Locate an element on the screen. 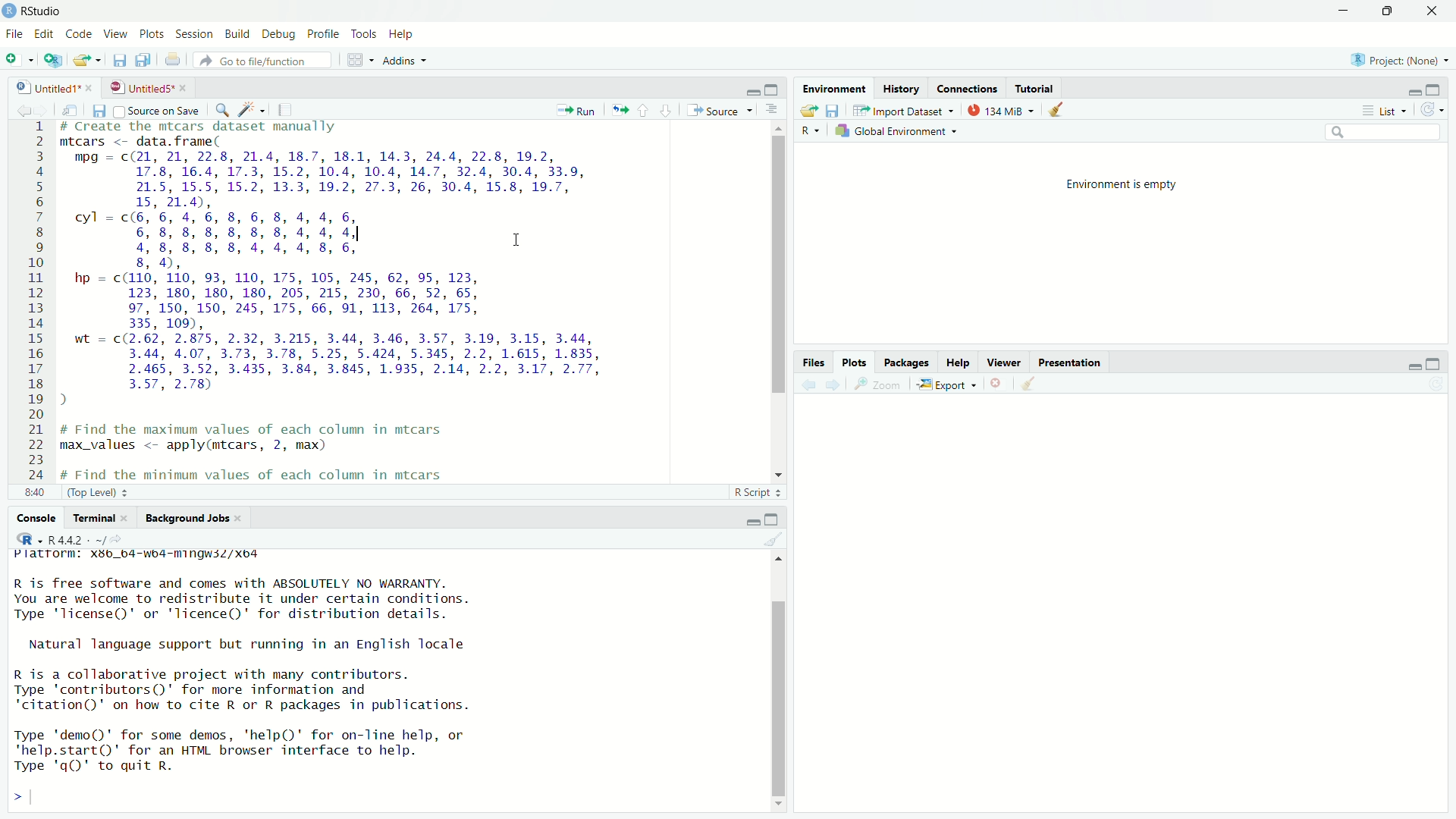  scroll bar is located at coordinates (773, 298).